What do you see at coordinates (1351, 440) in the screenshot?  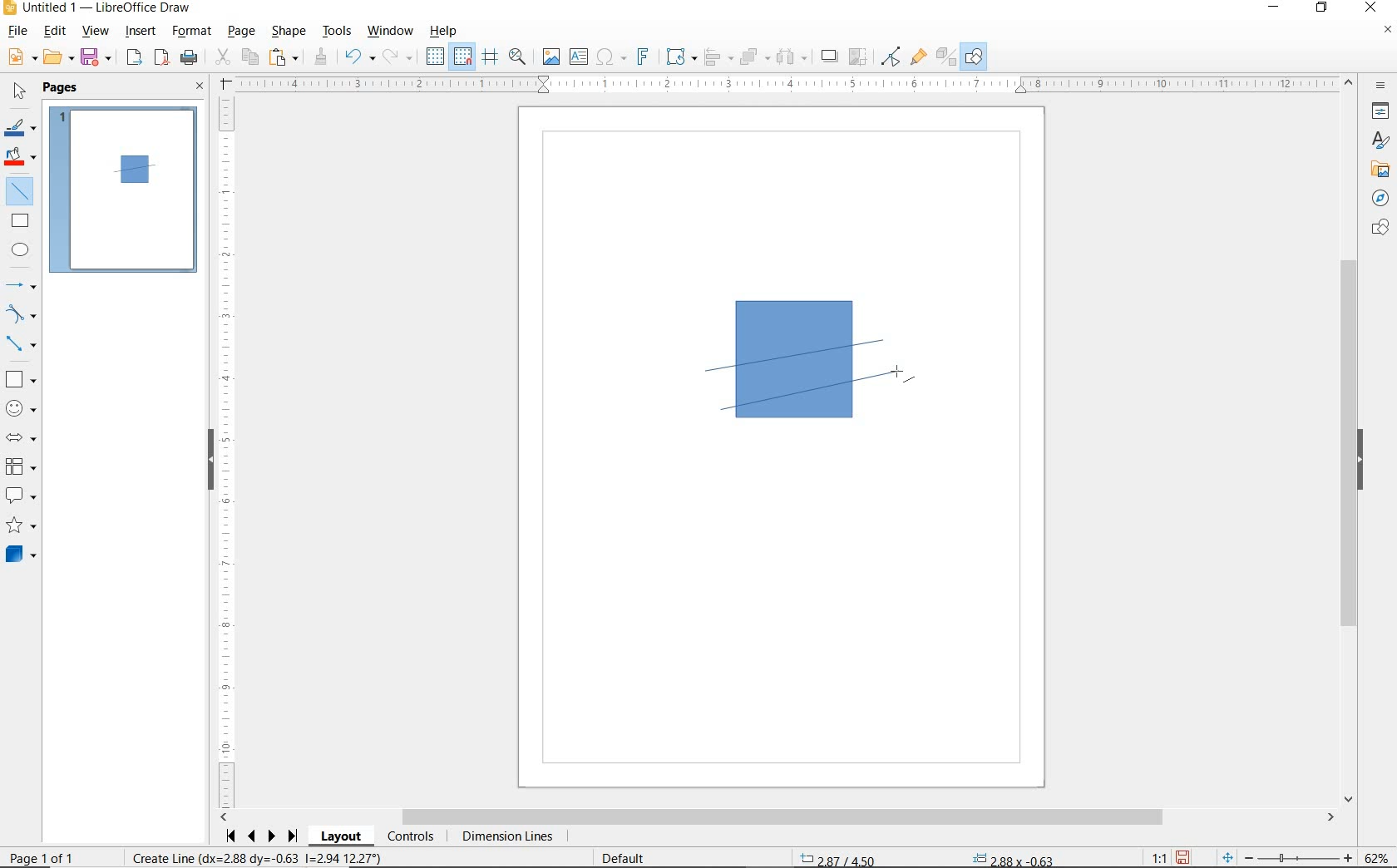 I see `SCROLLBAR` at bounding box center [1351, 440].